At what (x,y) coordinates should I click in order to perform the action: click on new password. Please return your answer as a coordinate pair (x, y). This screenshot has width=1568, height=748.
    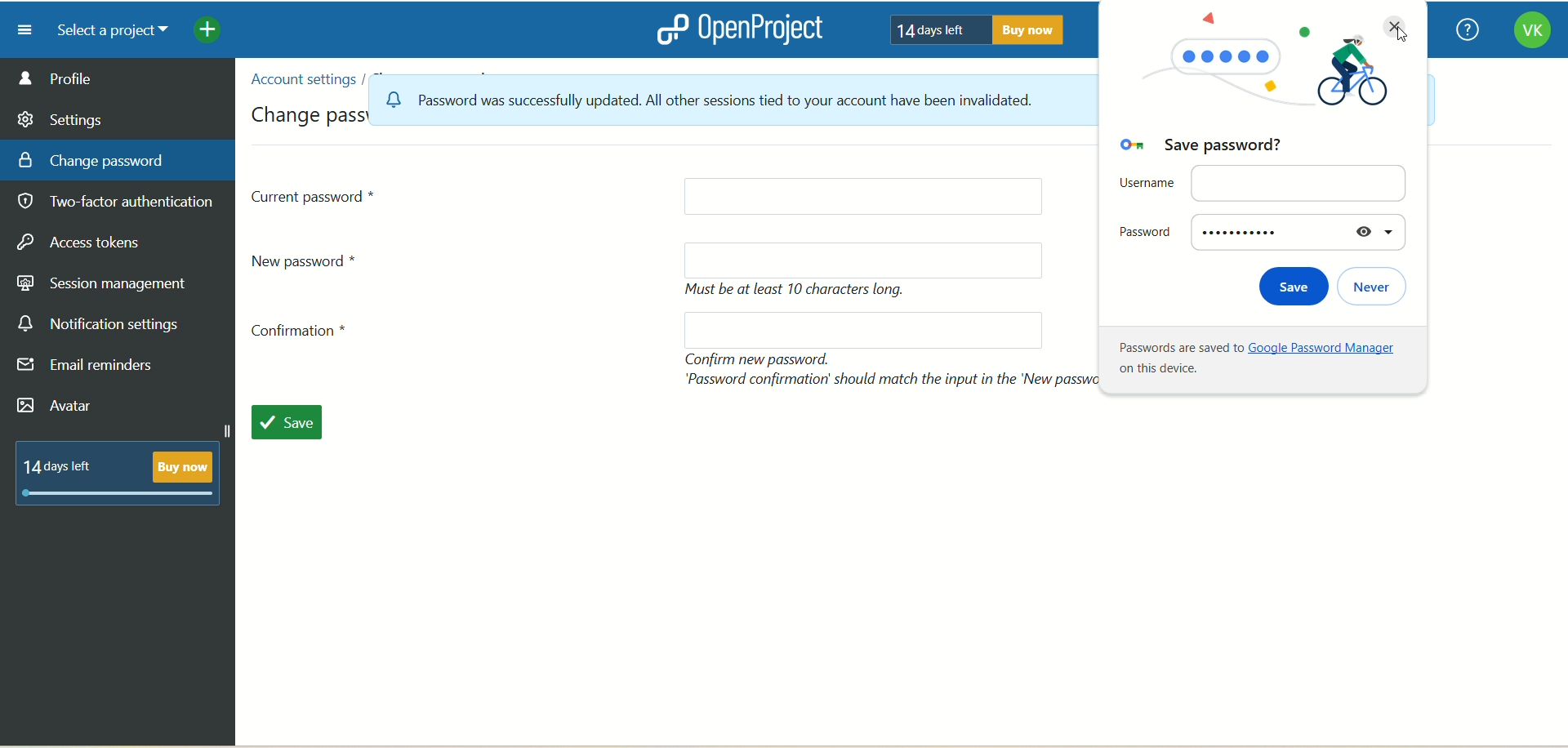
    Looking at the image, I should click on (312, 260).